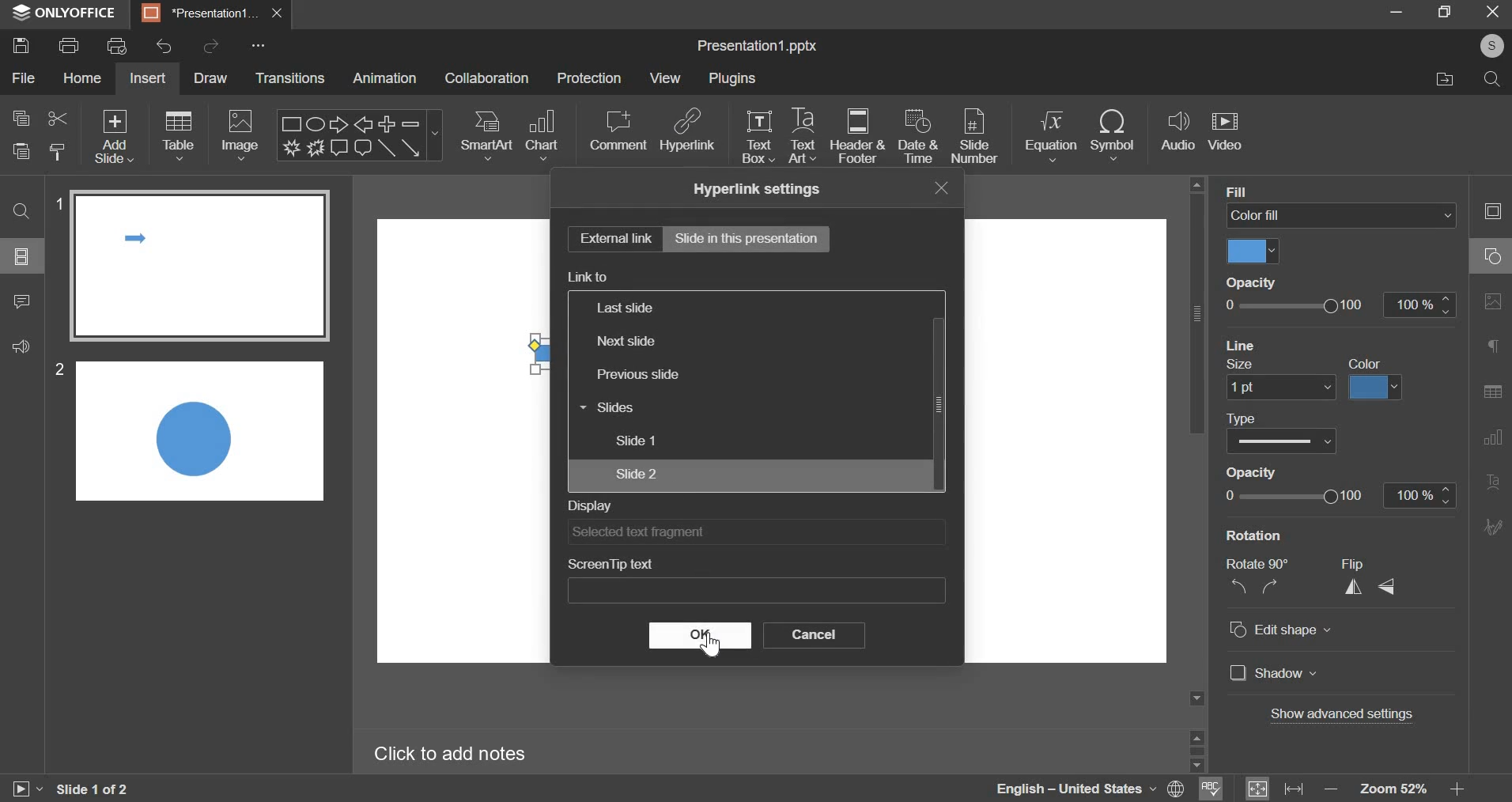 This screenshot has height=802, width=1512. Describe the element at coordinates (316, 147) in the screenshot. I see `Explosion 2` at that location.